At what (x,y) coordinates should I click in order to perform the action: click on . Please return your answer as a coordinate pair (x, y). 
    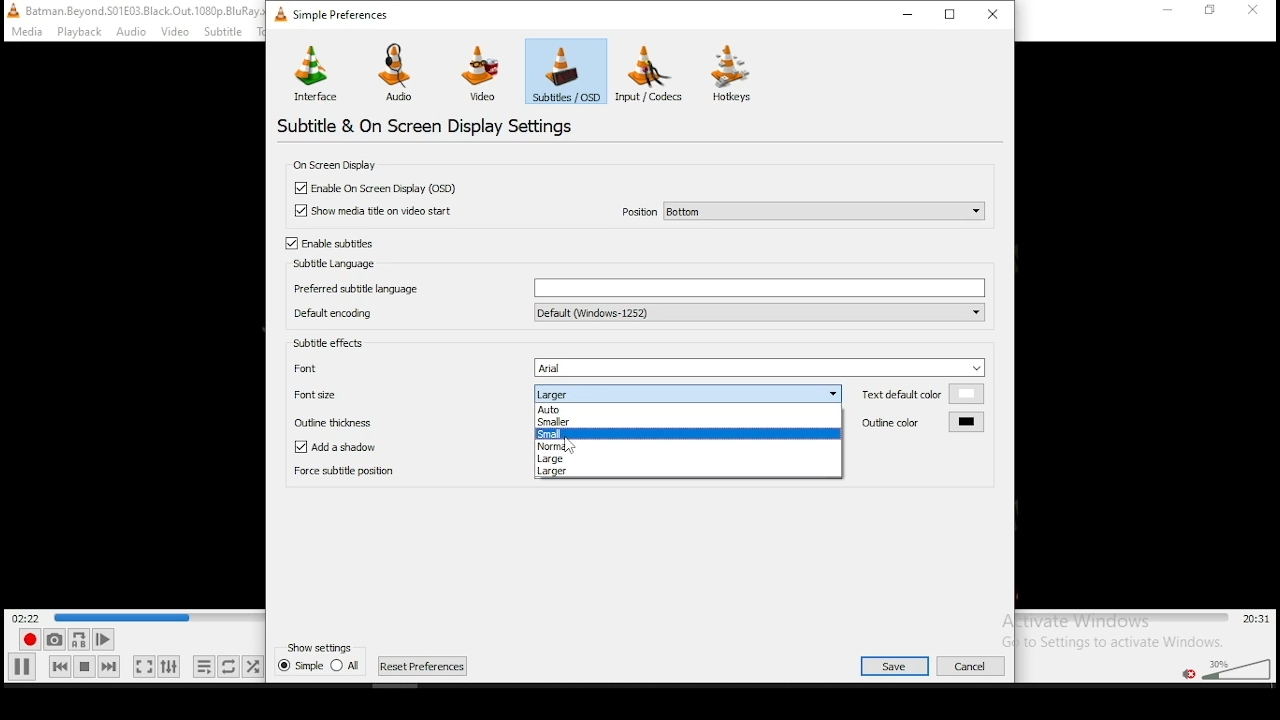
    Looking at the image, I should click on (1002, 390).